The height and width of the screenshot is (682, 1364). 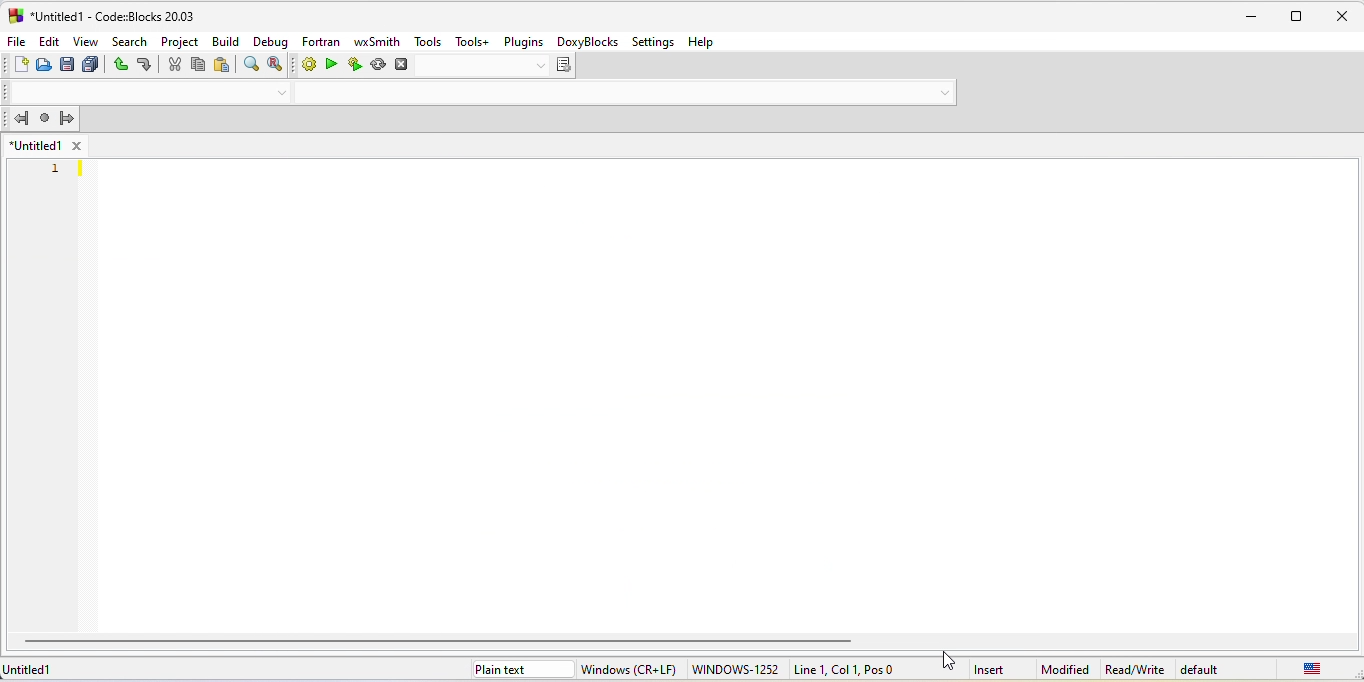 I want to click on minimize, so click(x=1256, y=16).